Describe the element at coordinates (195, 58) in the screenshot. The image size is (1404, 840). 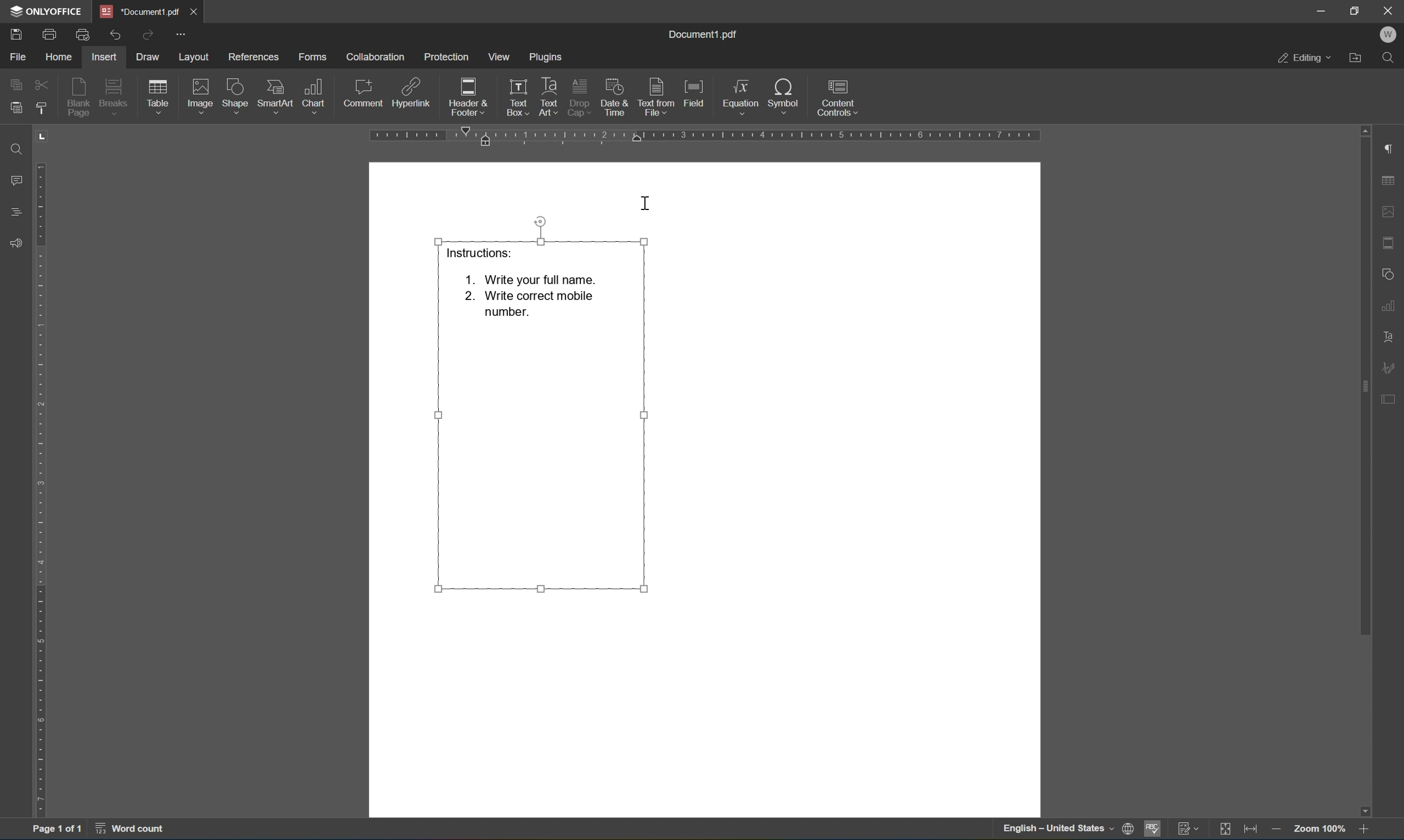
I see `layout` at that location.